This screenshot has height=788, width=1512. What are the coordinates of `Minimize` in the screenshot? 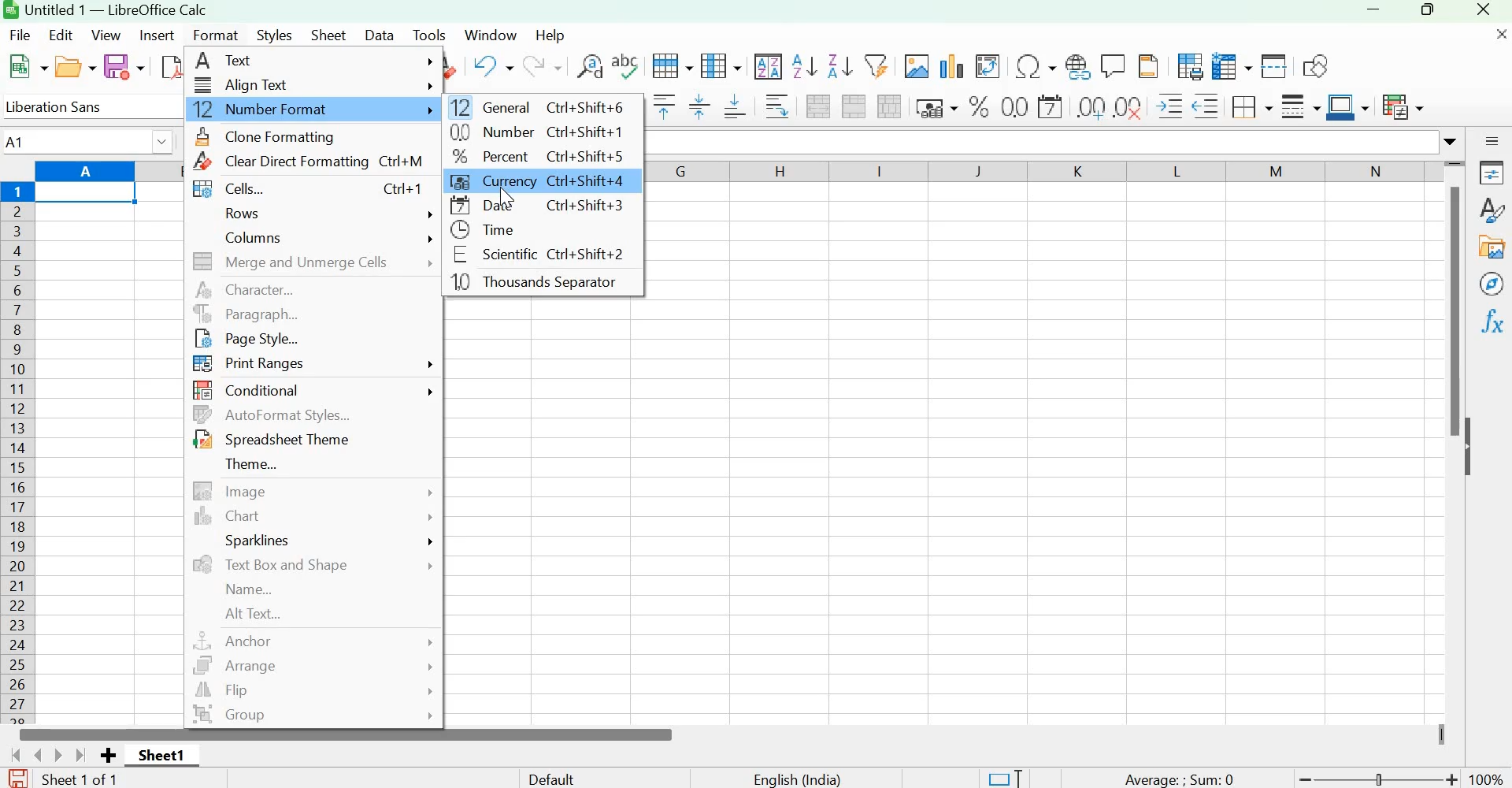 It's located at (1373, 13).